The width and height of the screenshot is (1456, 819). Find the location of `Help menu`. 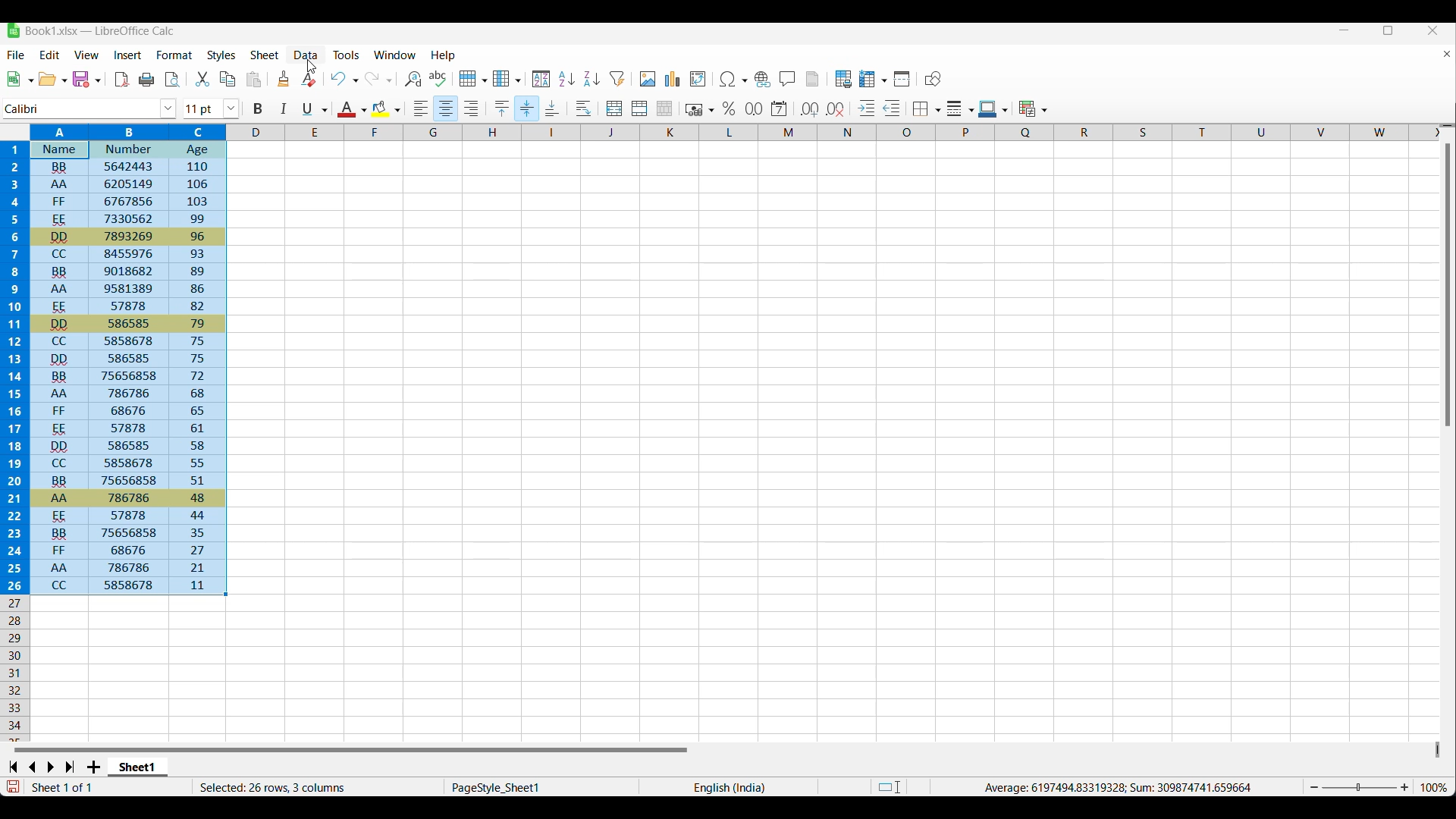

Help menu is located at coordinates (444, 56).